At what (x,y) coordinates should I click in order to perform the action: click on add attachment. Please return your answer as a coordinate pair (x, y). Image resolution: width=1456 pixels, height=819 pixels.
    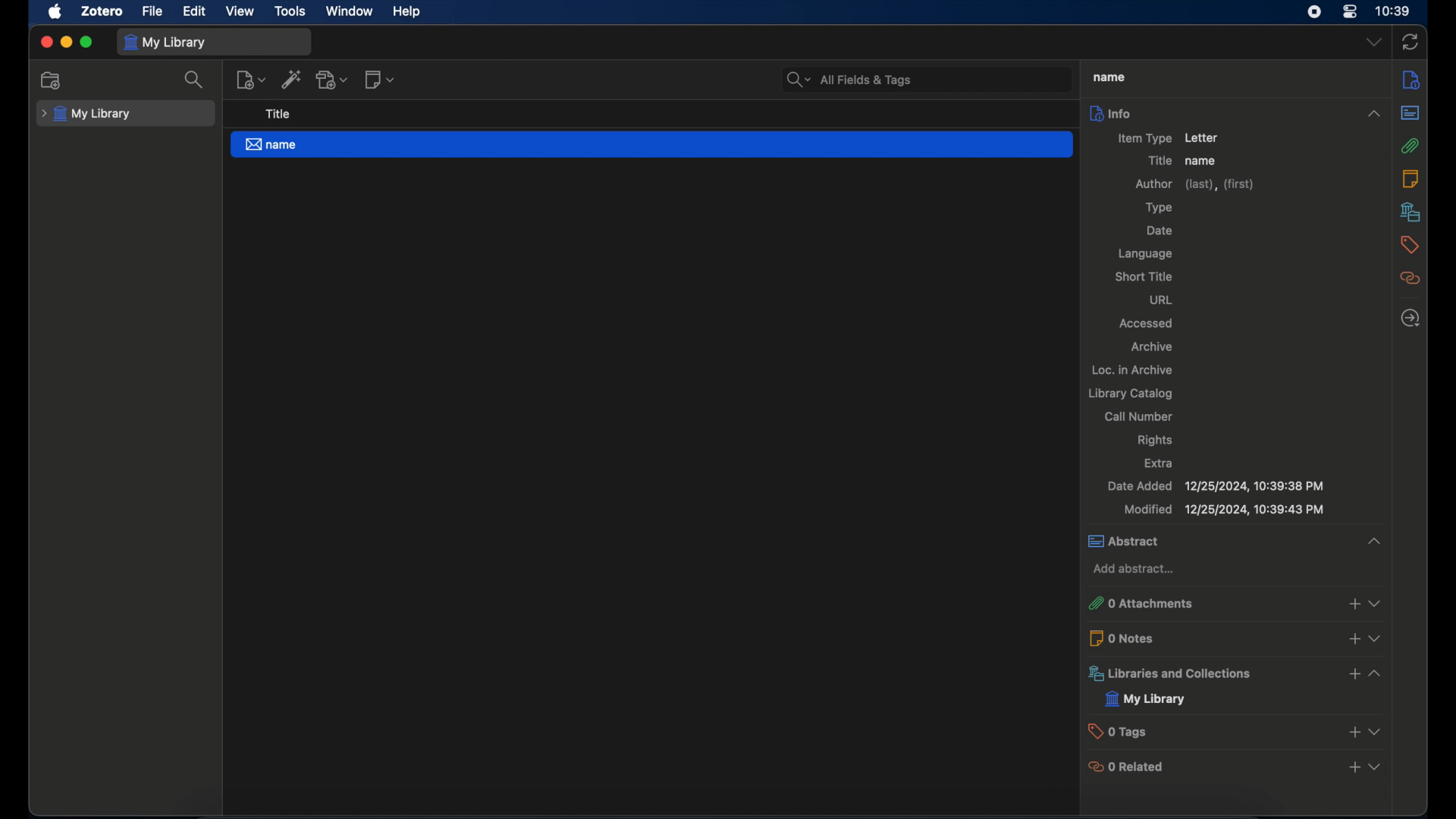
    Looking at the image, I should click on (334, 80).